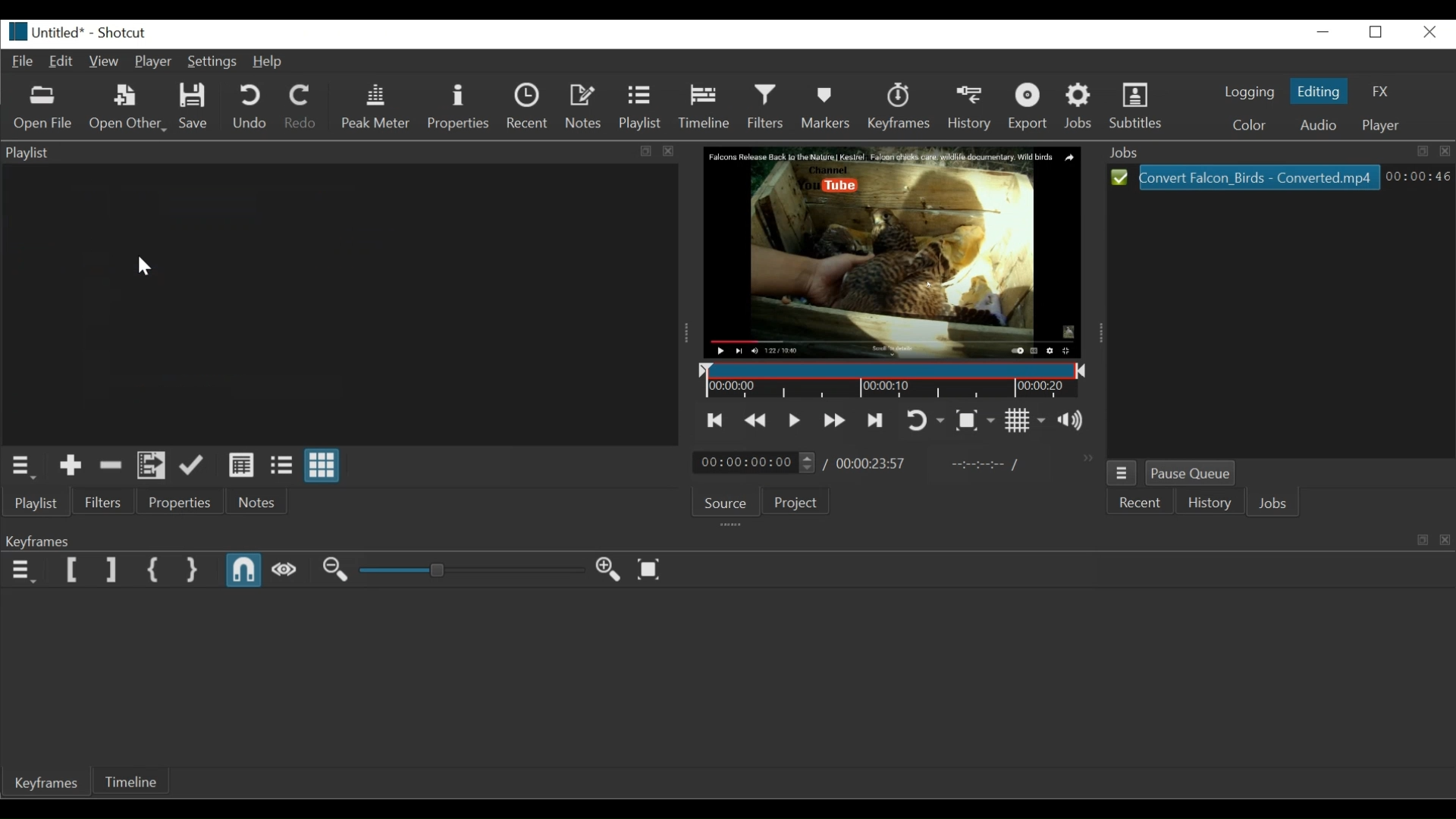  I want to click on Close, so click(1426, 33).